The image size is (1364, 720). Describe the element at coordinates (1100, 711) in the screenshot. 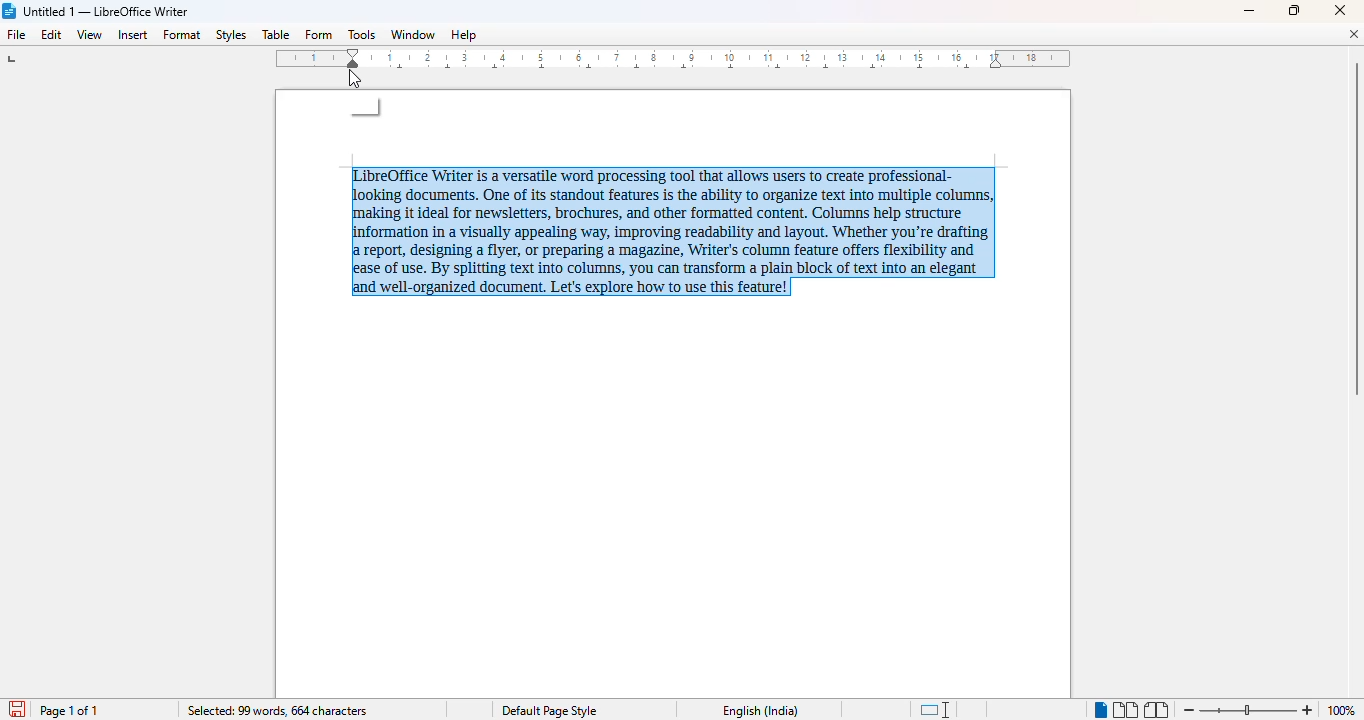

I see `single-page view` at that location.